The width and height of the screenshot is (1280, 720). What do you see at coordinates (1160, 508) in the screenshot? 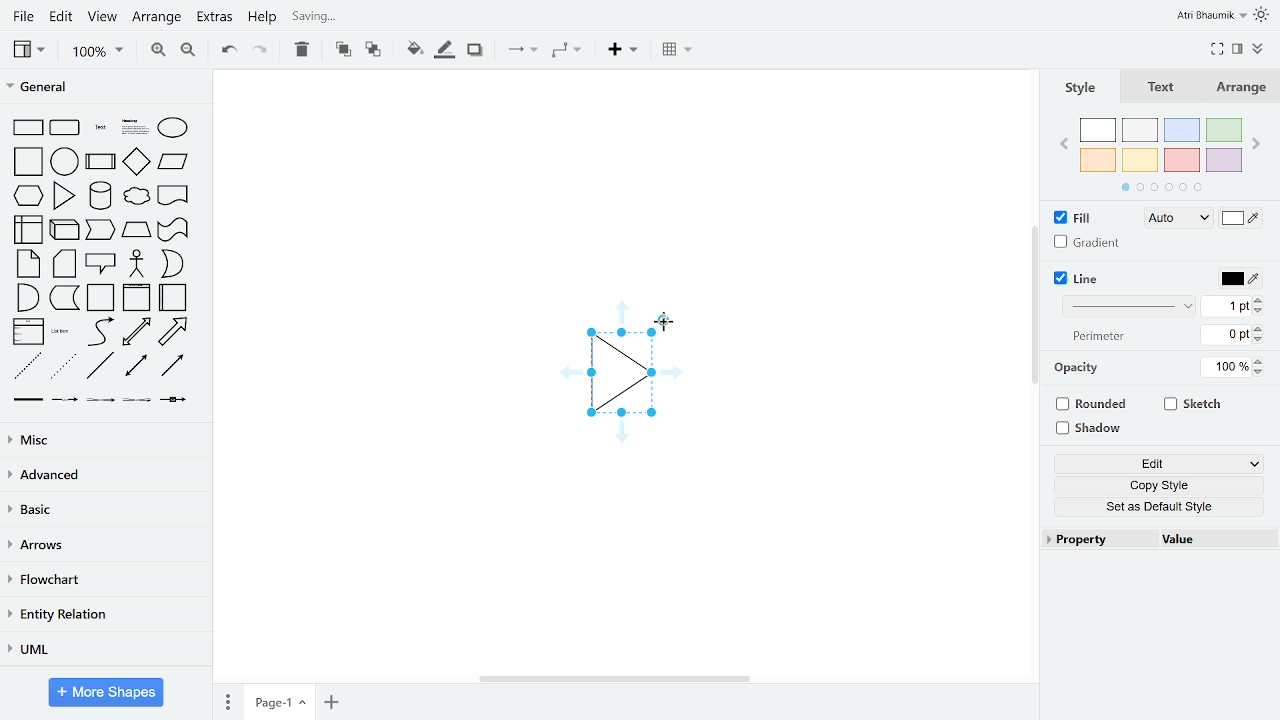
I see `set as default style` at bounding box center [1160, 508].